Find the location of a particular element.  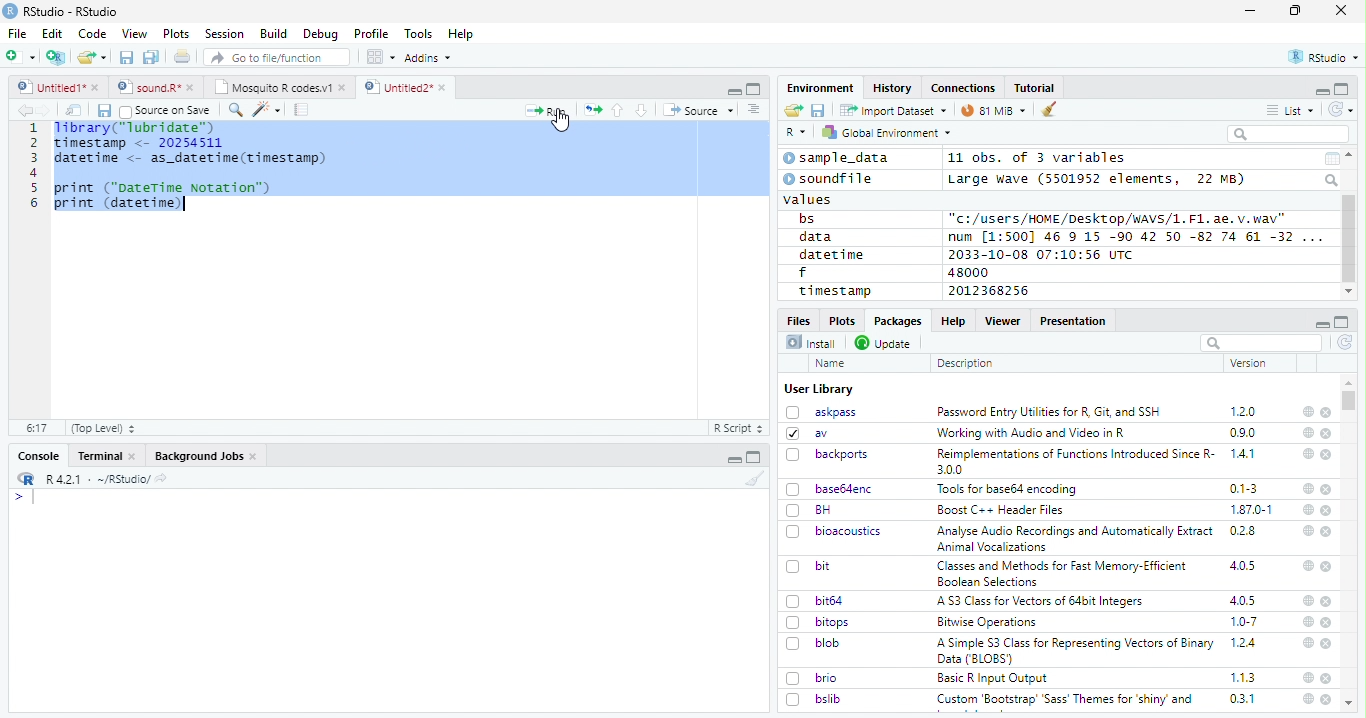

"c:/users/HOME /Desktop/wWAVS/1.F1, ae. v.wav" is located at coordinates (1119, 217).